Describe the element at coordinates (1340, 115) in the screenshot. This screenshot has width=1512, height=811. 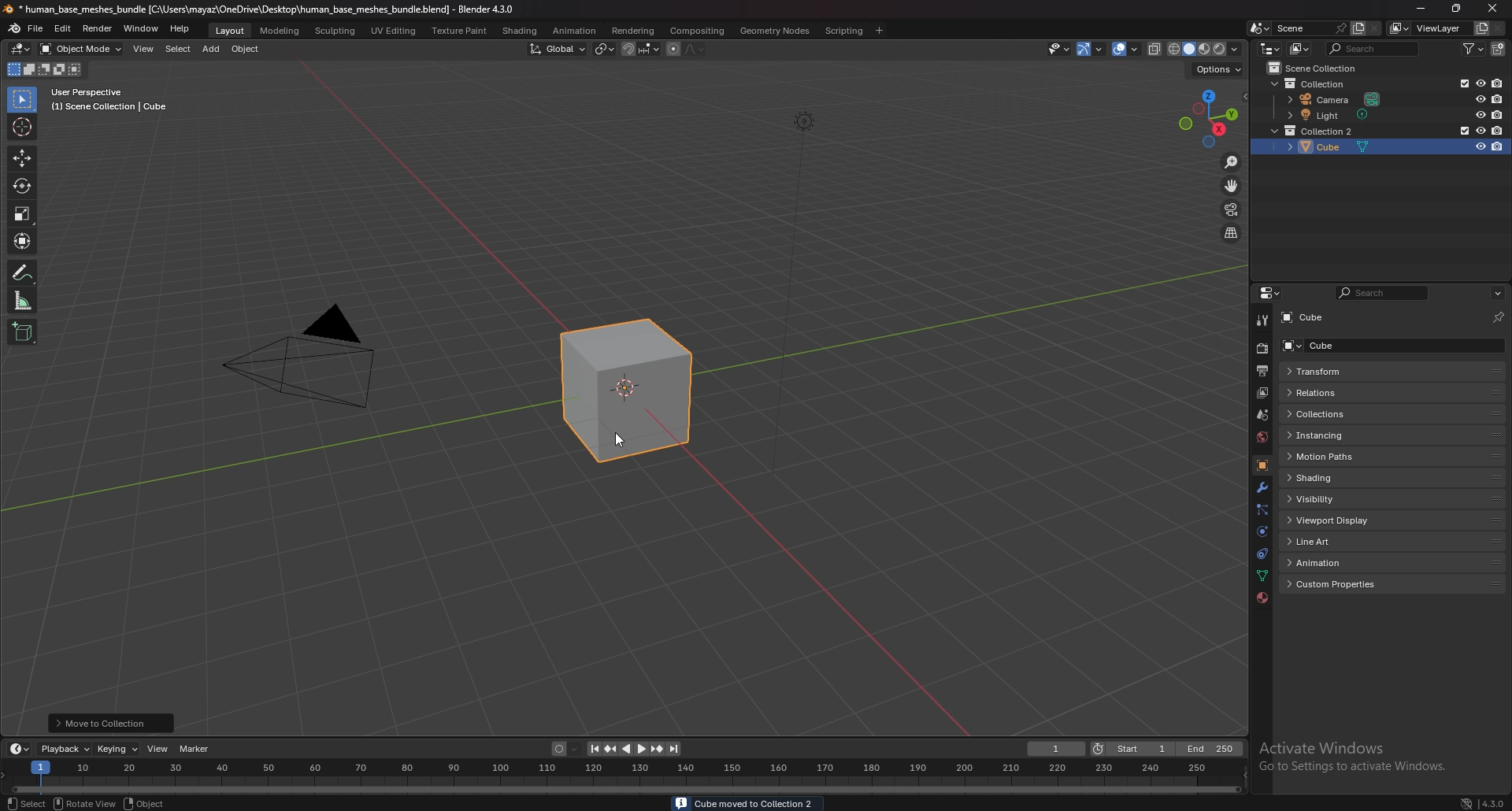
I see `cube` at that location.